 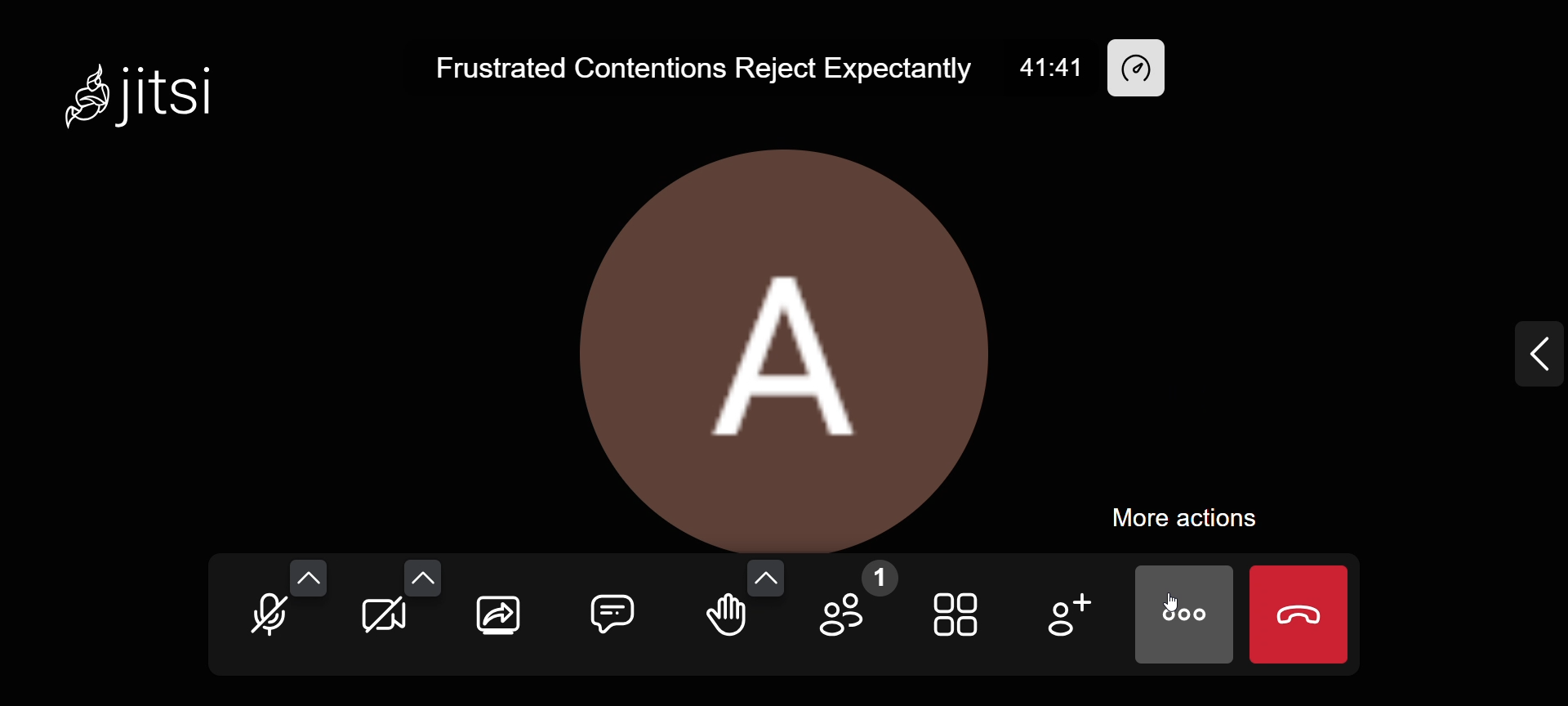 What do you see at coordinates (1049, 66) in the screenshot?
I see `41:41` at bounding box center [1049, 66].